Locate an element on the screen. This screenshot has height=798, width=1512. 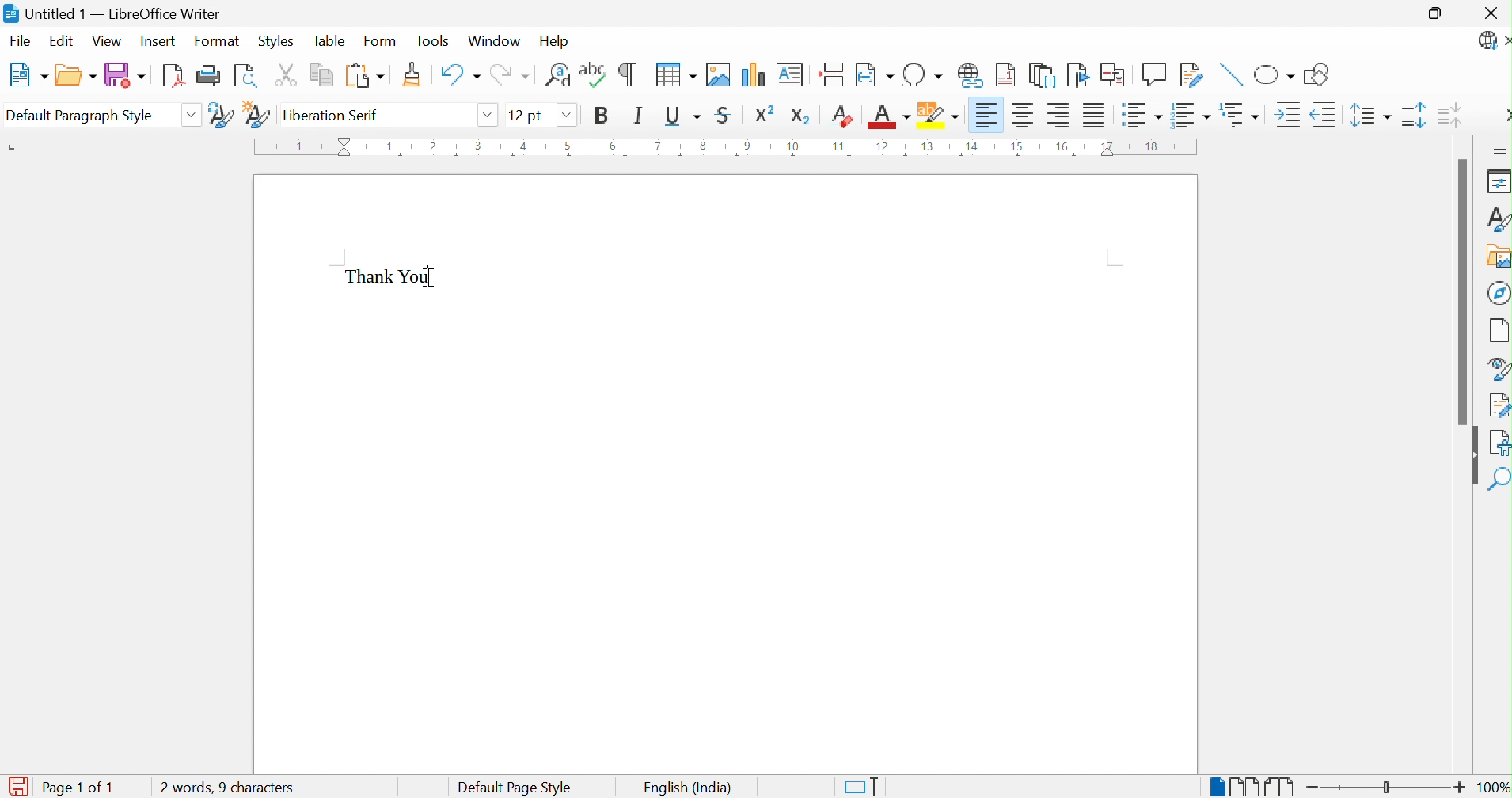
Insert Comment is located at coordinates (1155, 74).